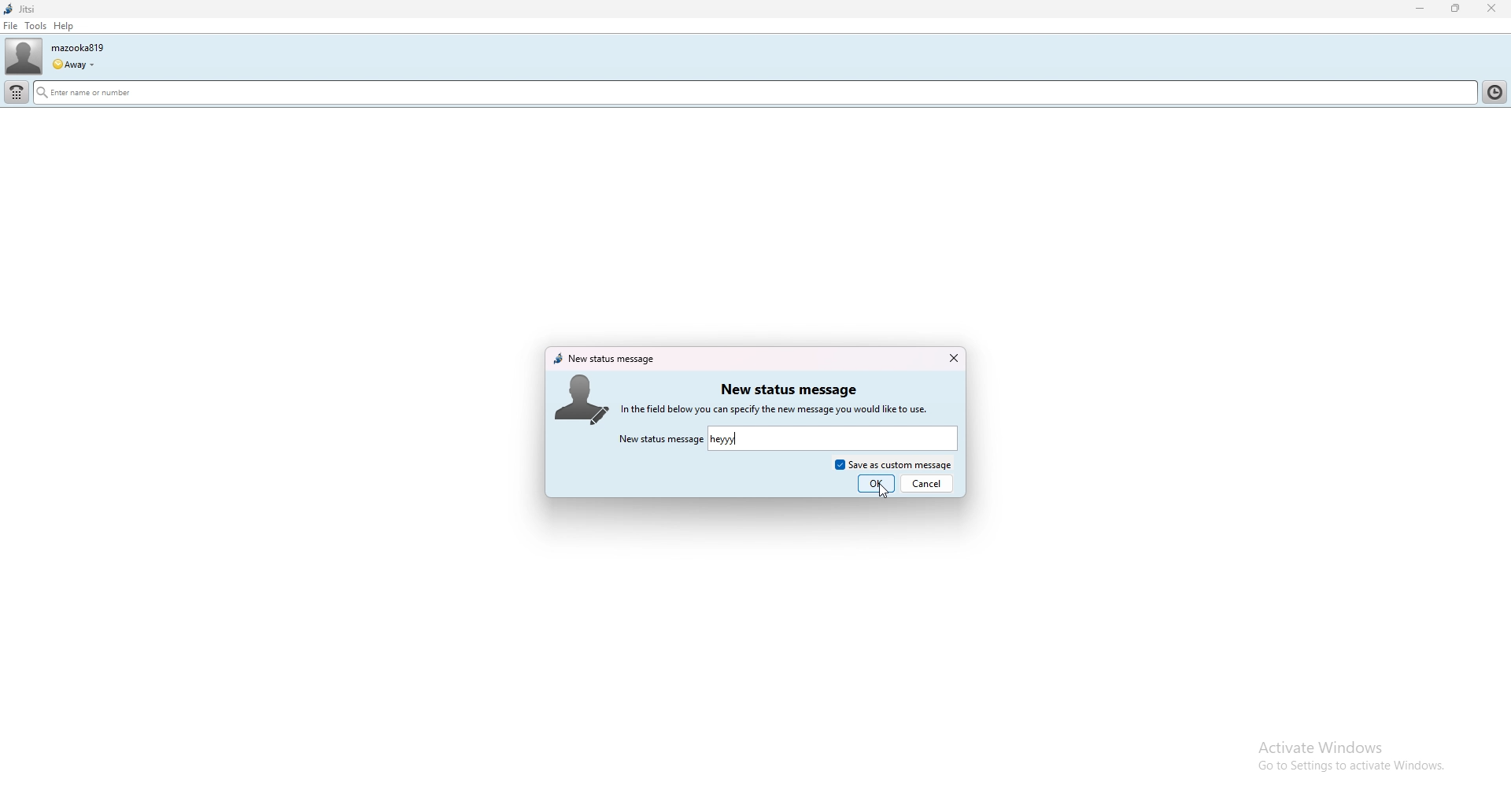 This screenshot has height=812, width=1511. Describe the element at coordinates (929, 482) in the screenshot. I see `cancel` at that location.